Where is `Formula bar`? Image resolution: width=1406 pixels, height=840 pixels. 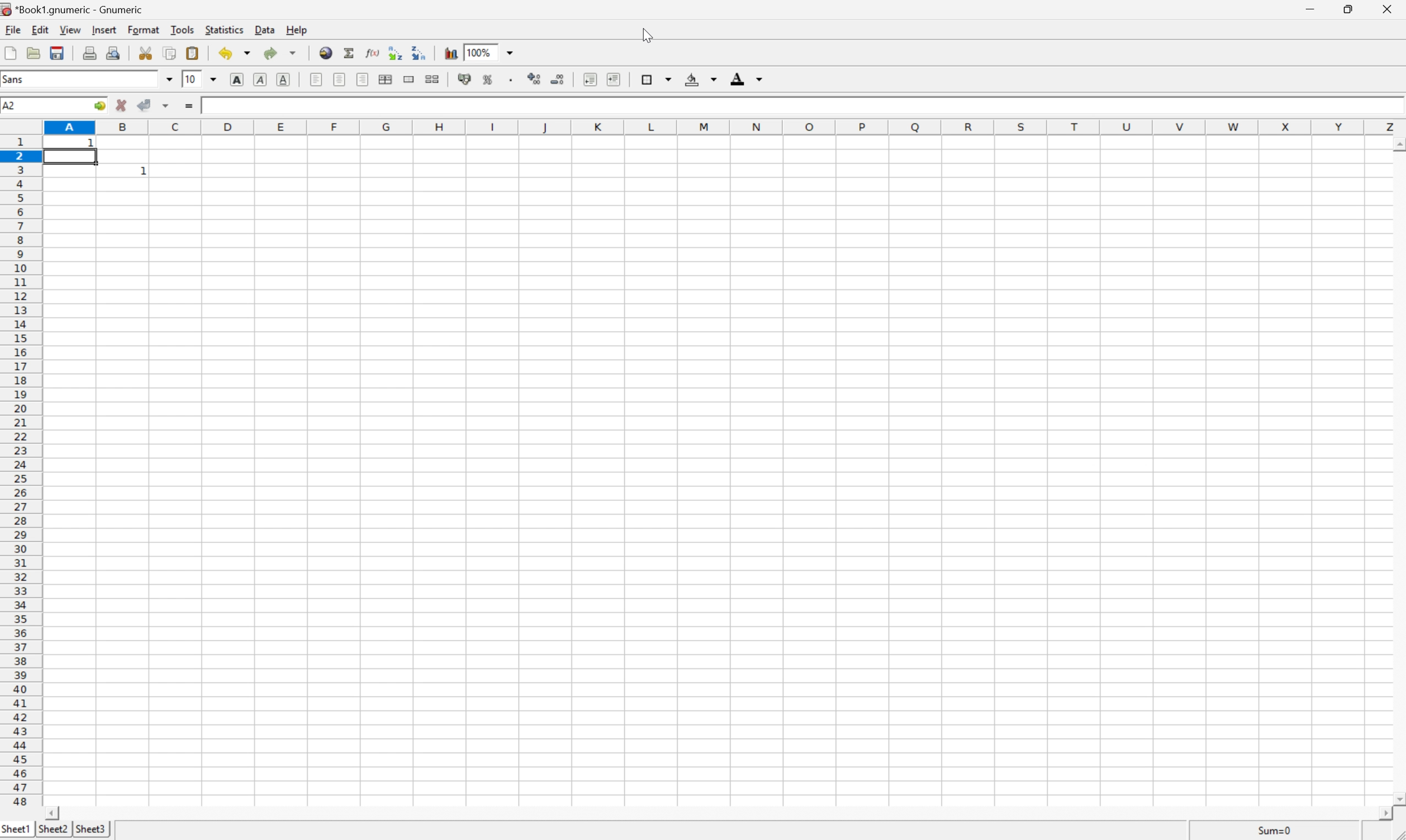
Formula bar is located at coordinates (804, 108).